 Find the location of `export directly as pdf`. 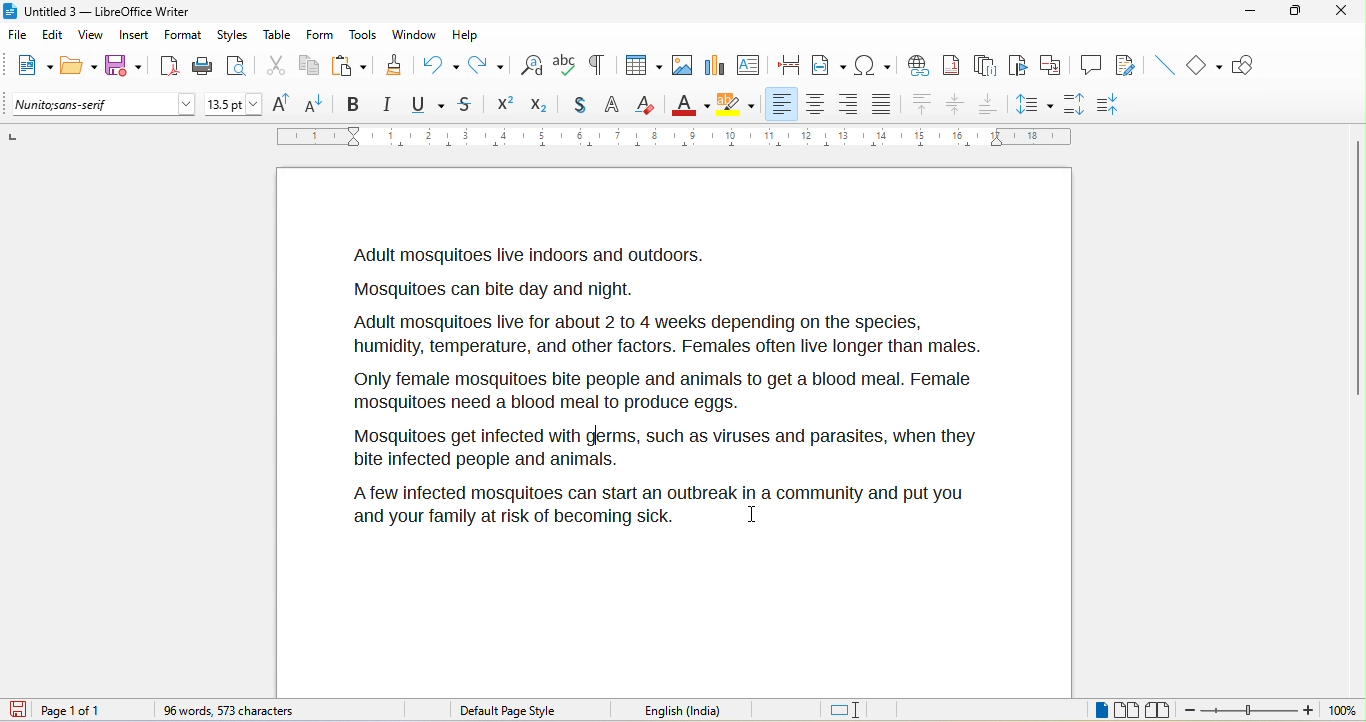

export directly as pdf is located at coordinates (168, 65).